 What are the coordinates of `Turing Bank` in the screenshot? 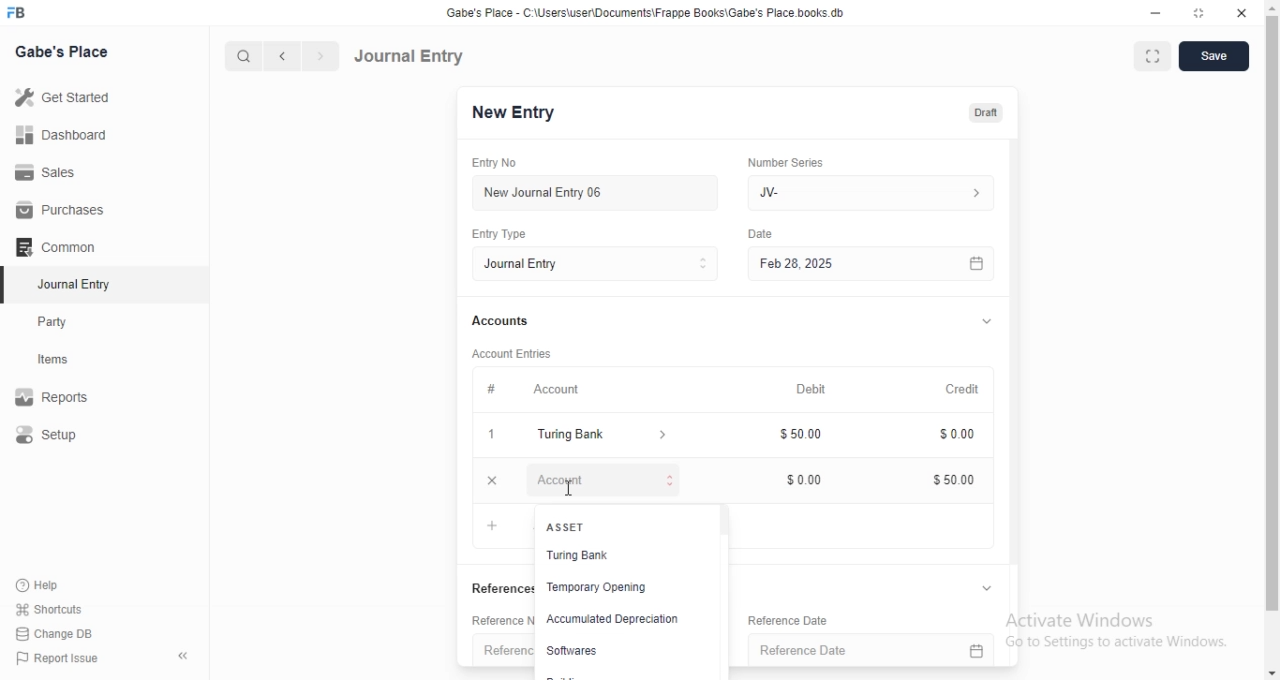 It's located at (607, 557).